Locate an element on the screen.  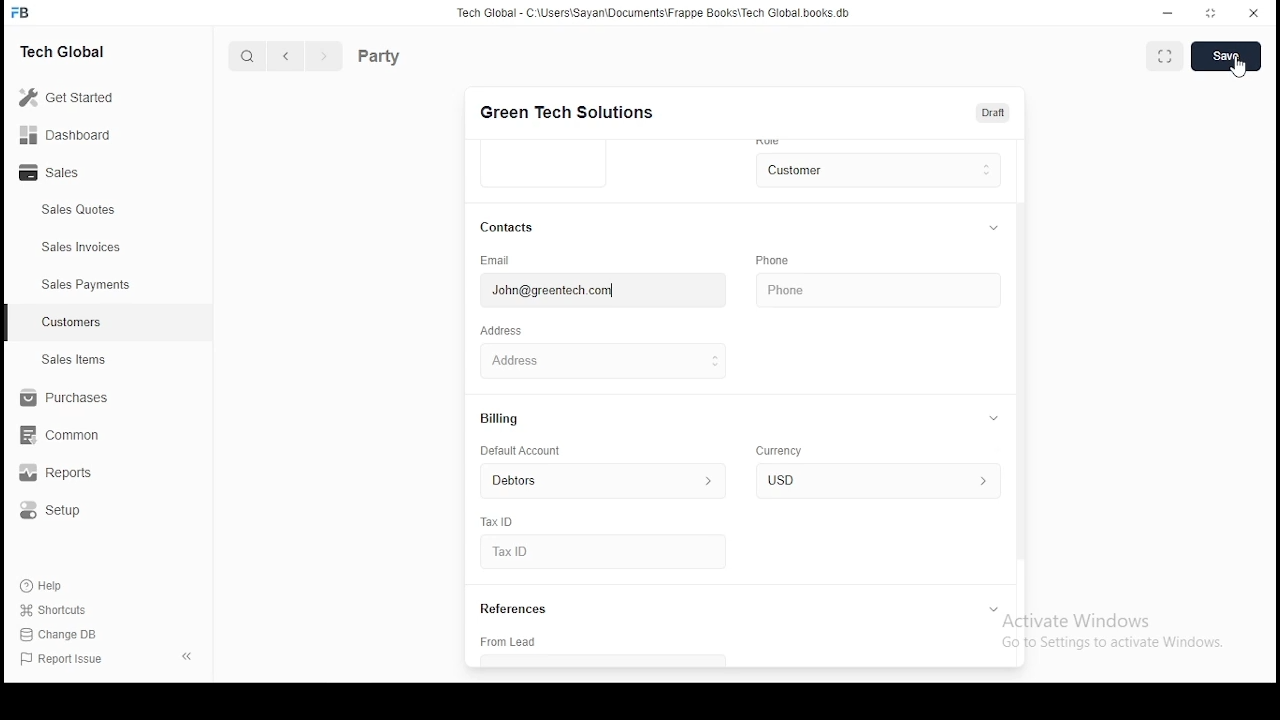
restore is located at coordinates (1211, 12).